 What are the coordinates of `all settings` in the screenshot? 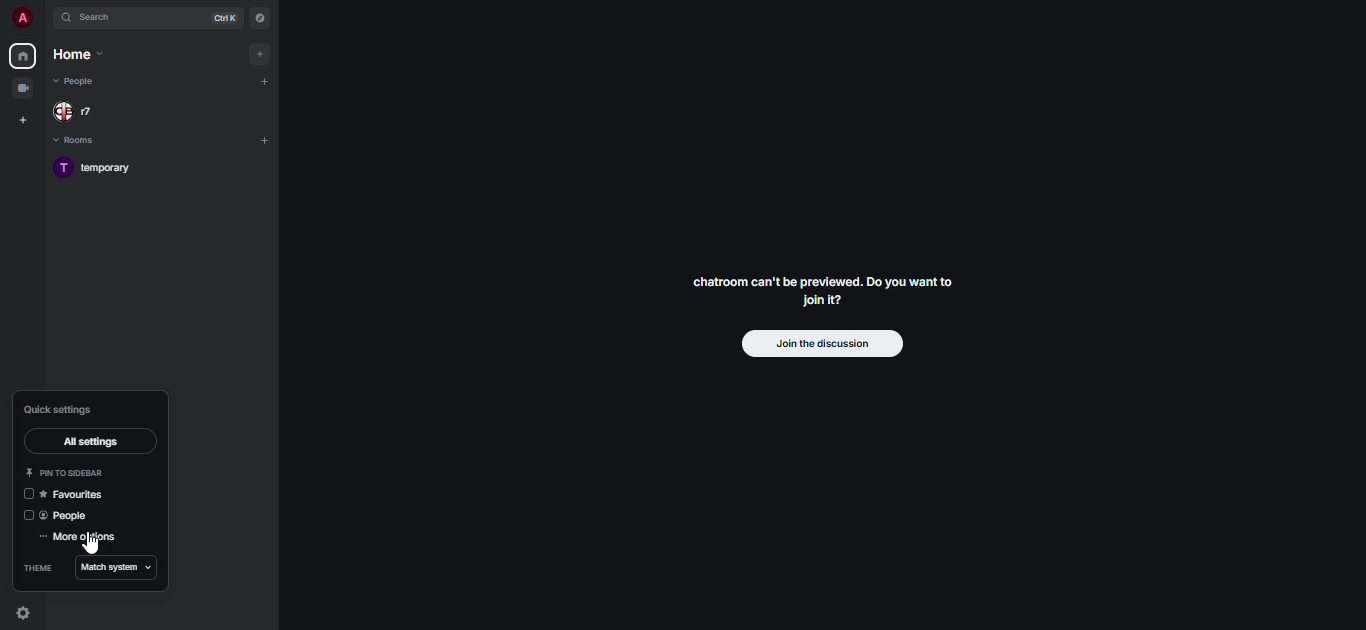 It's located at (91, 443).